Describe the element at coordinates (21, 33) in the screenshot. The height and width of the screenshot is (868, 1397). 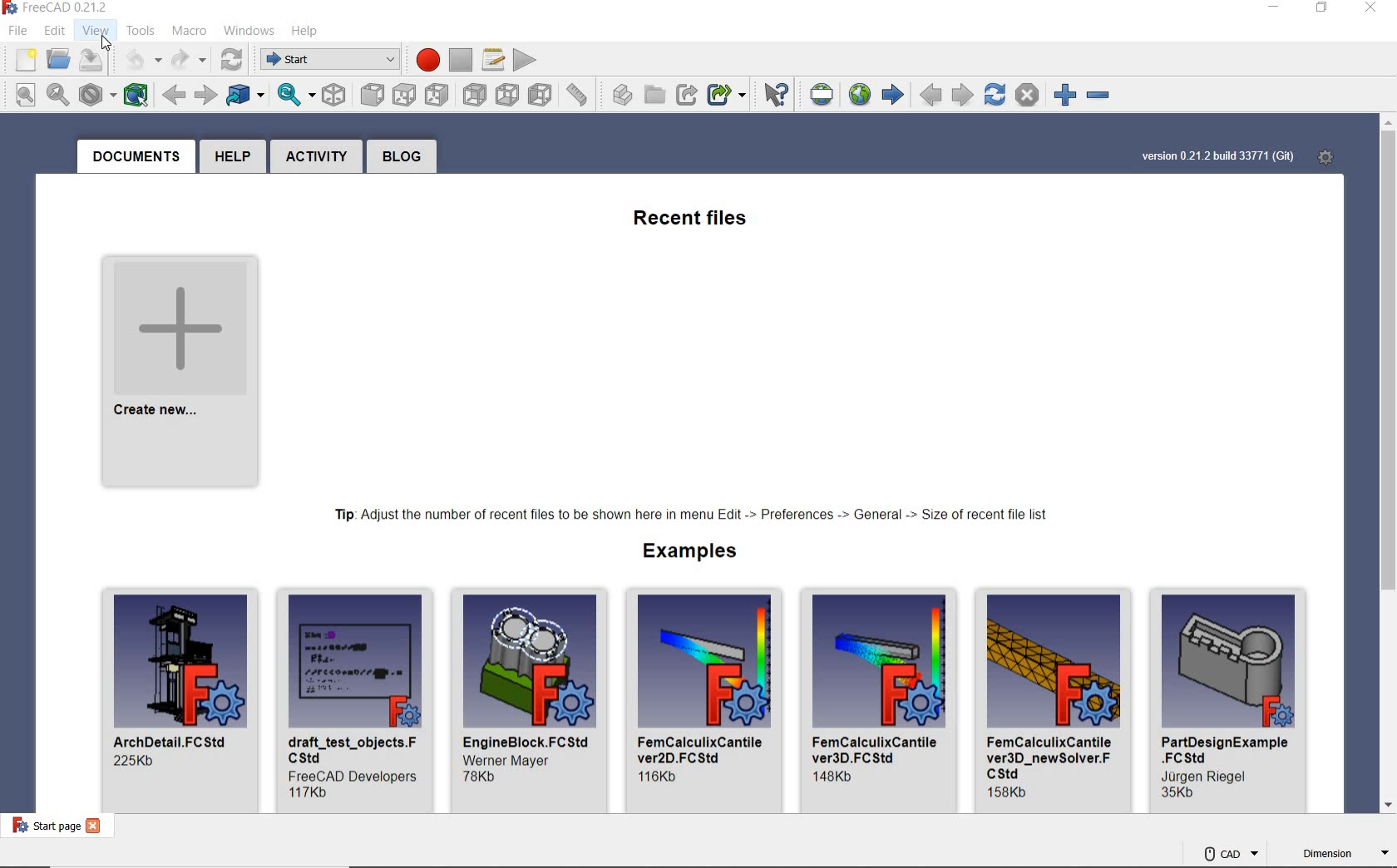
I see `file` at that location.